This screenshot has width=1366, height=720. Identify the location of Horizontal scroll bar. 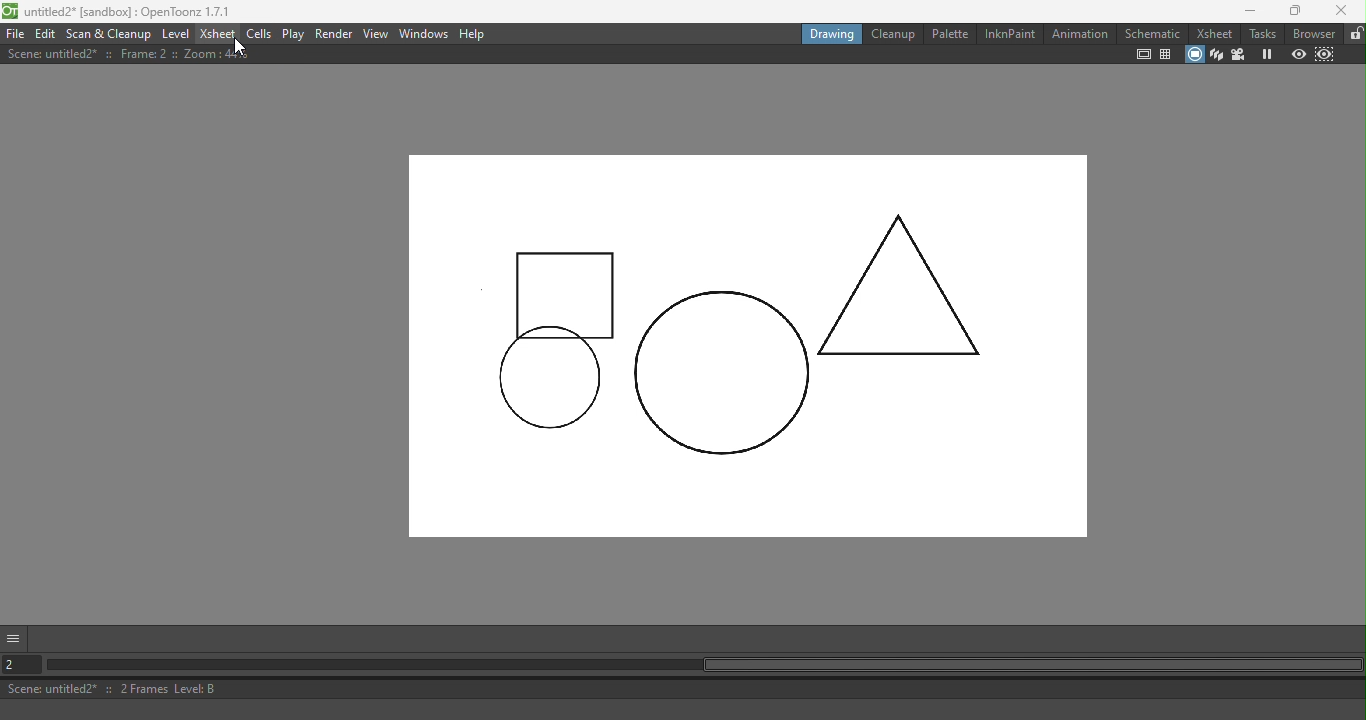
(704, 666).